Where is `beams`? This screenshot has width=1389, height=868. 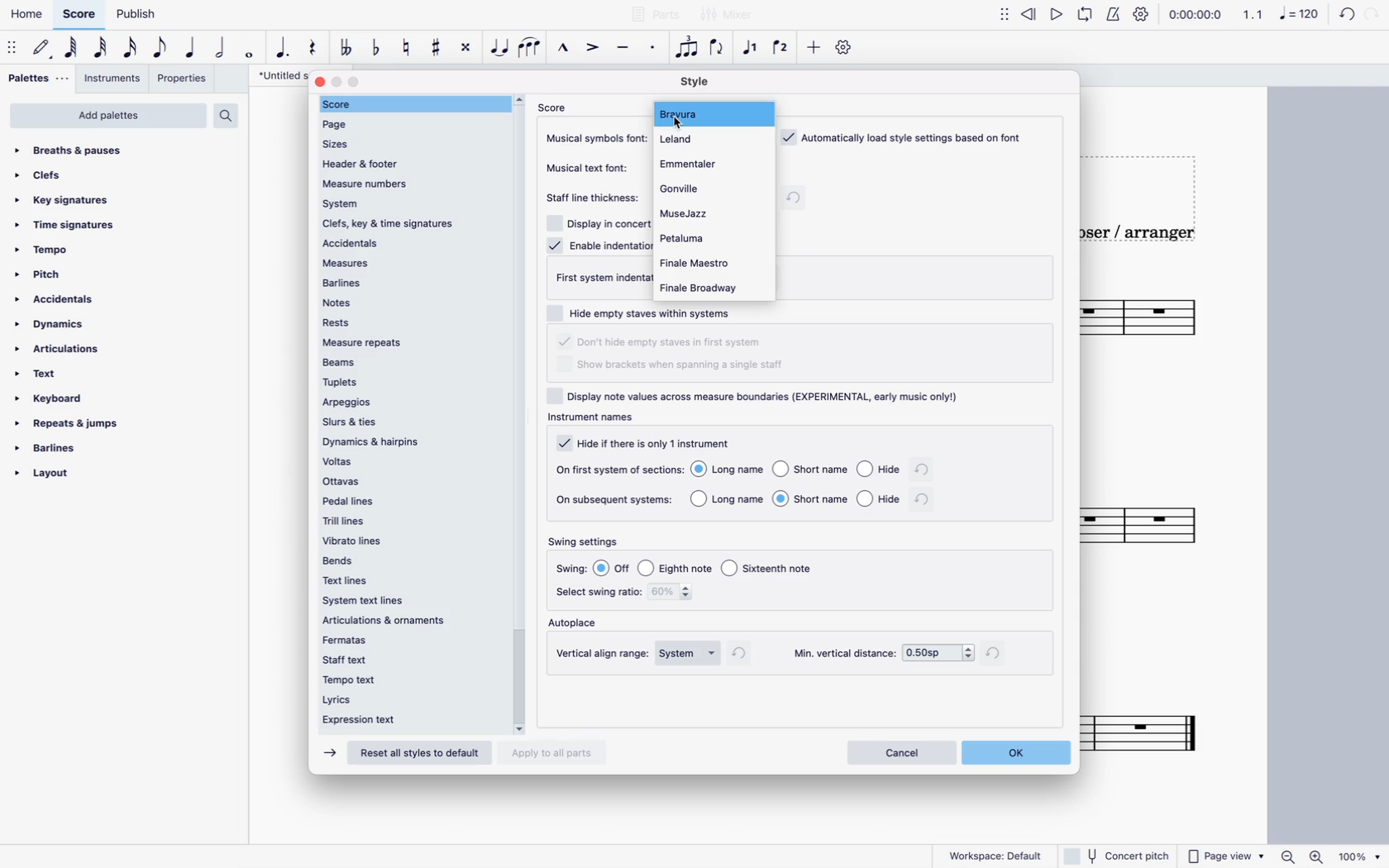
beams is located at coordinates (410, 361).